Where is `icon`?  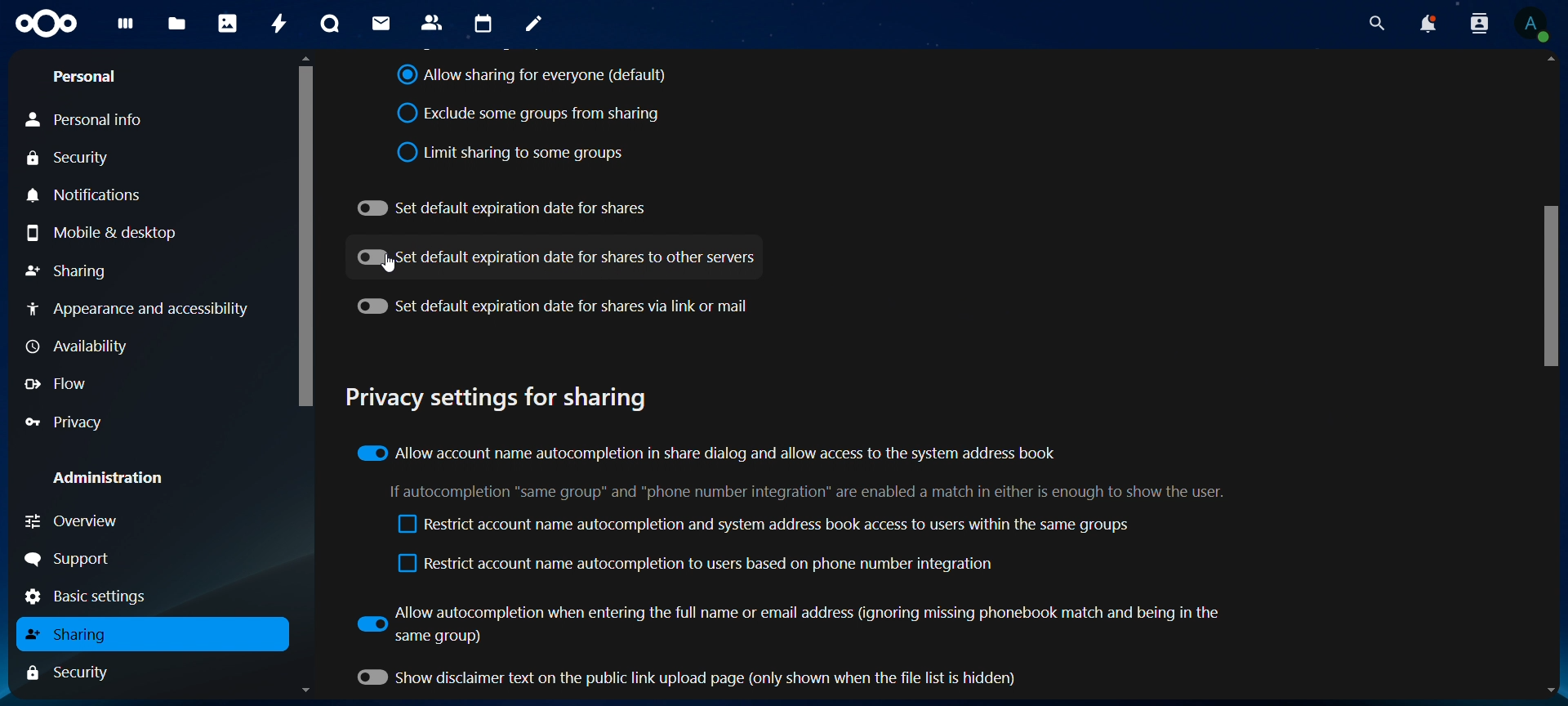
icon is located at coordinates (51, 24).